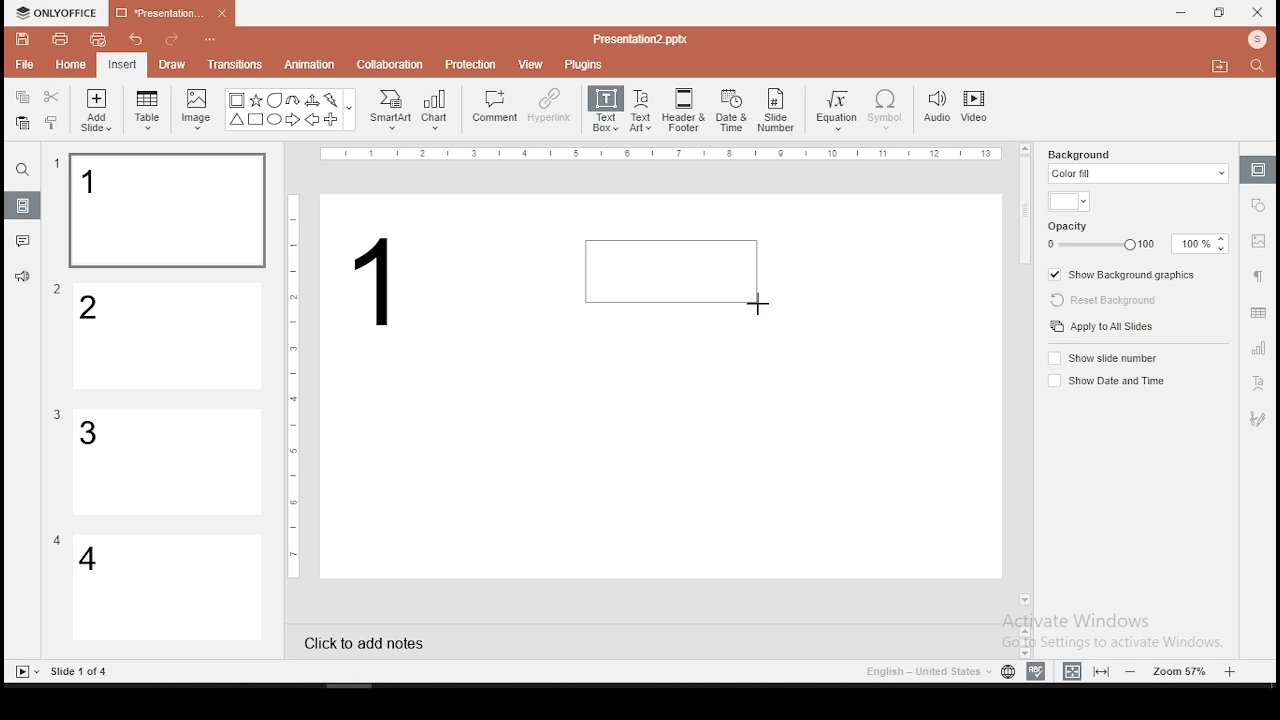 The image size is (1280, 720). What do you see at coordinates (392, 63) in the screenshot?
I see `collaboration` at bounding box center [392, 63].